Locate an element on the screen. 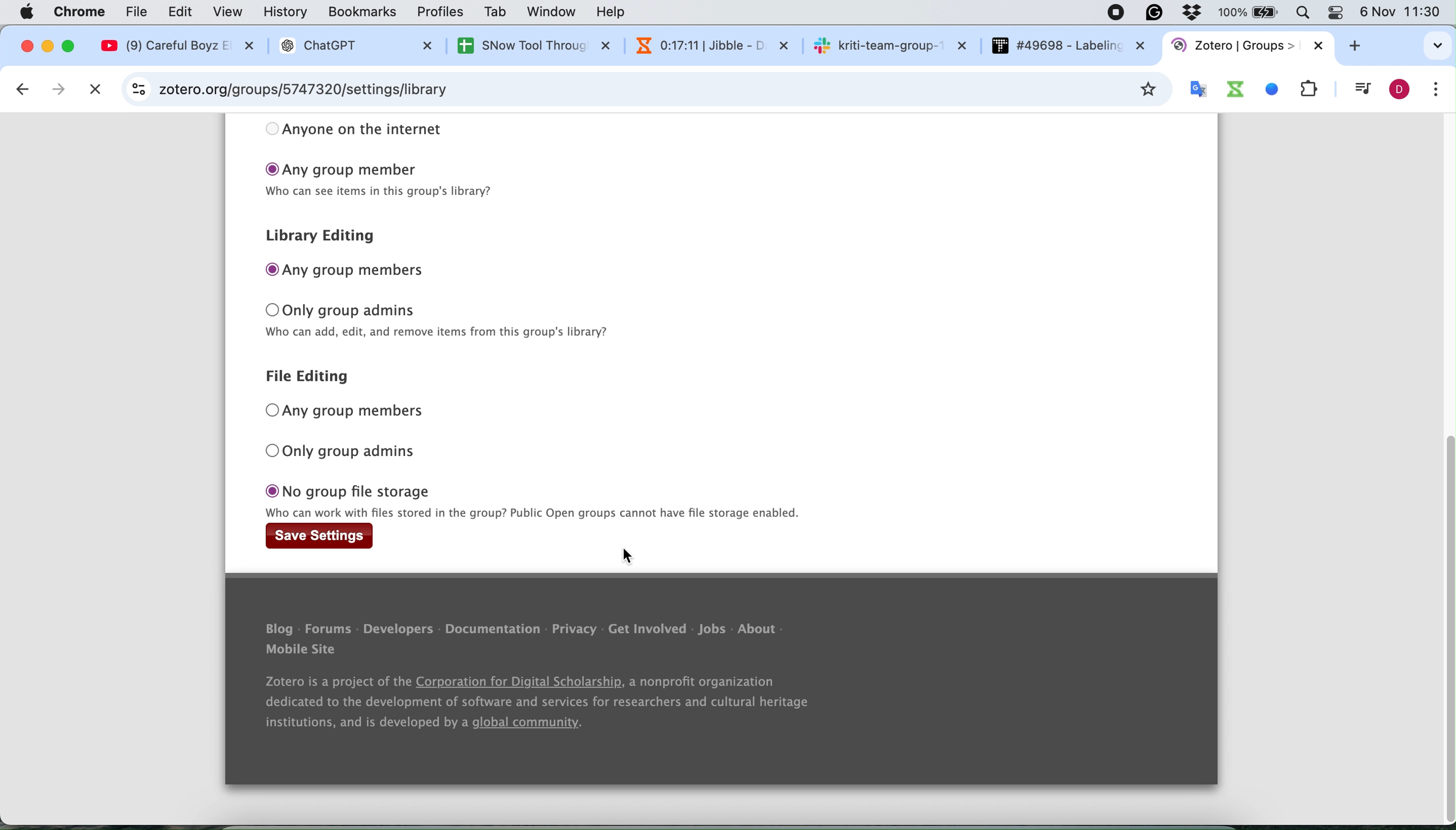 The width and height of the screenshot is (1456, 830). library editing is located at coordinates (326, 237).